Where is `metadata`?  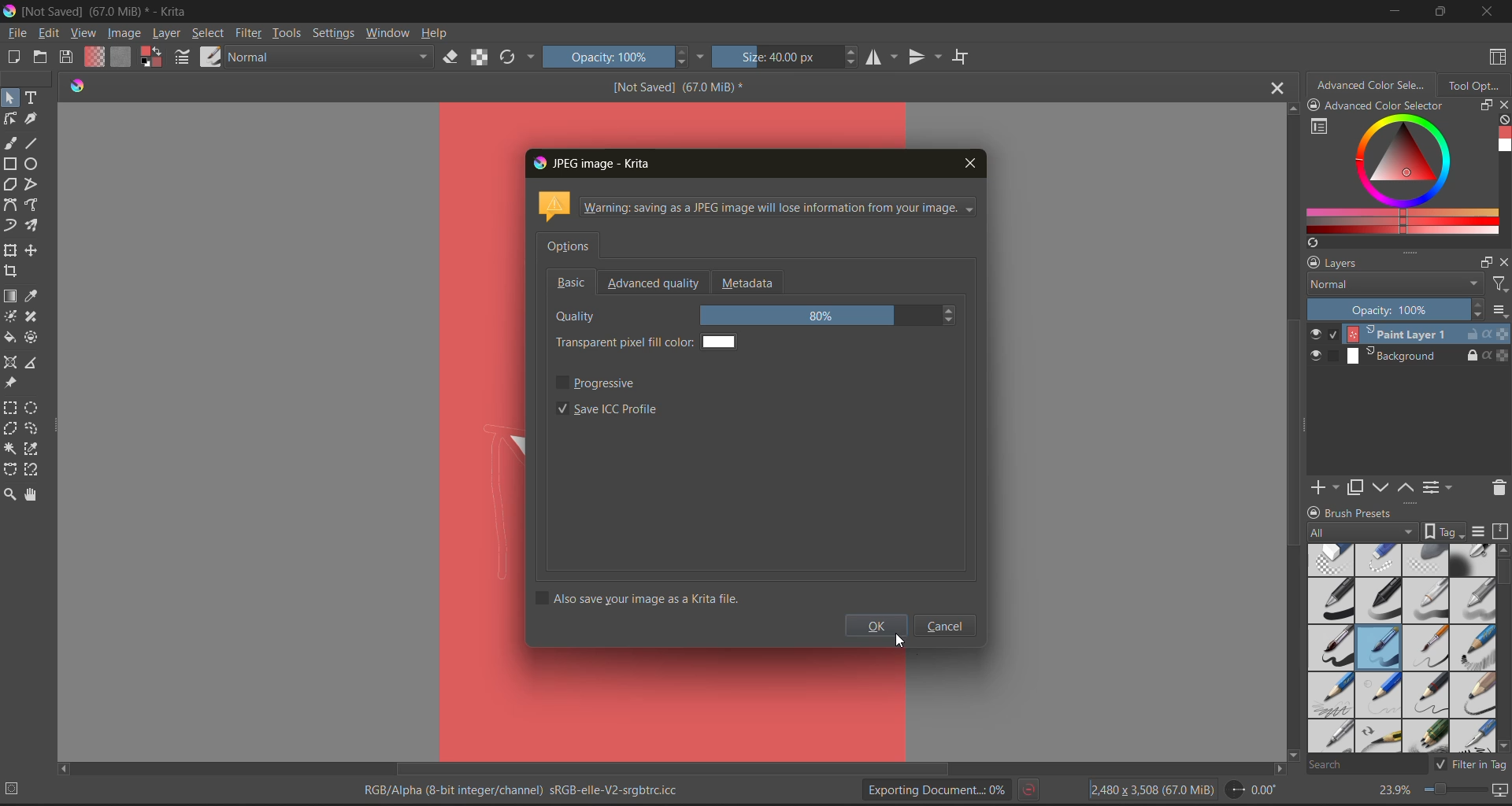
metadata is located at coordinates (750, 283).